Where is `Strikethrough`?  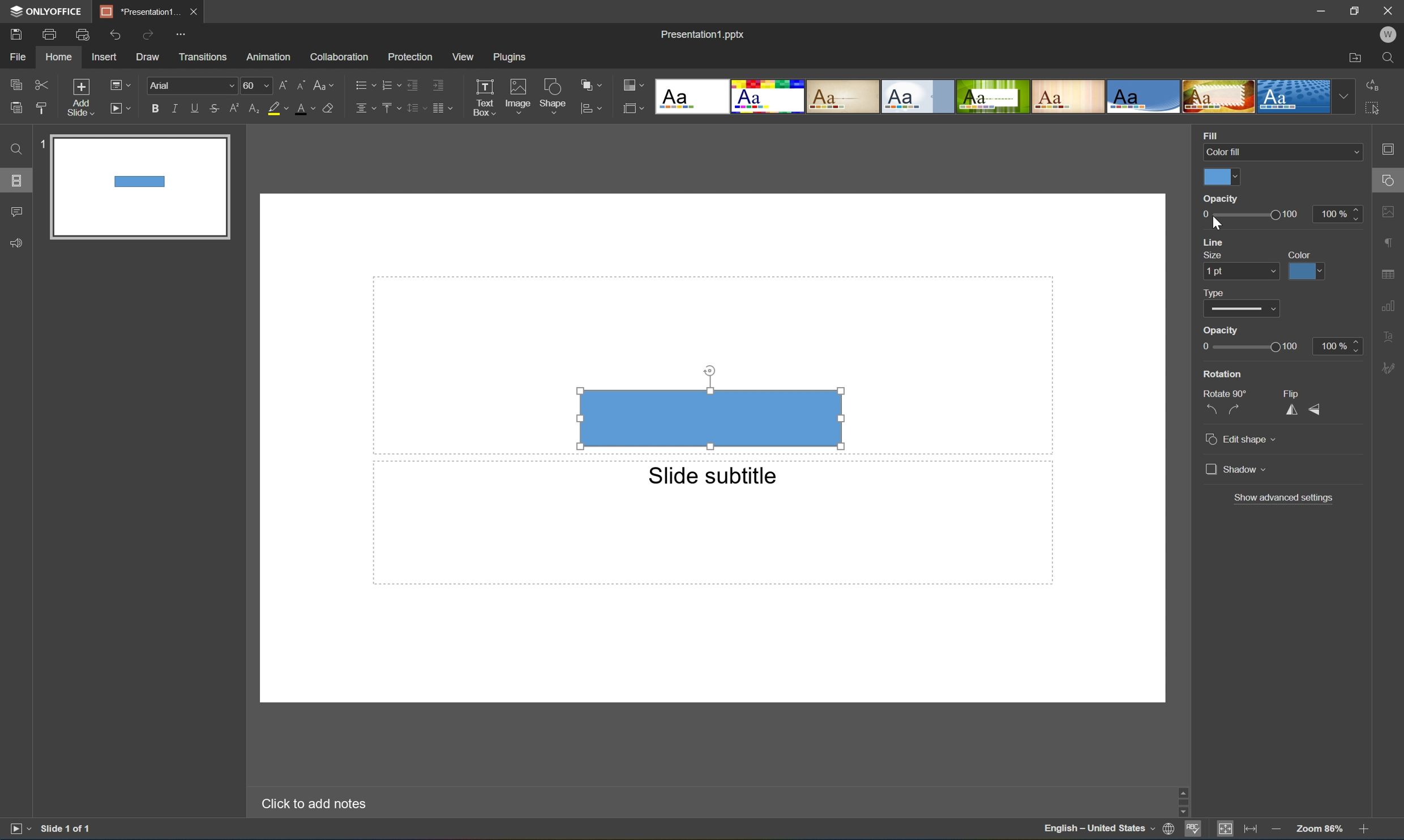
Strikethrough is located at coordinates (214, 110).